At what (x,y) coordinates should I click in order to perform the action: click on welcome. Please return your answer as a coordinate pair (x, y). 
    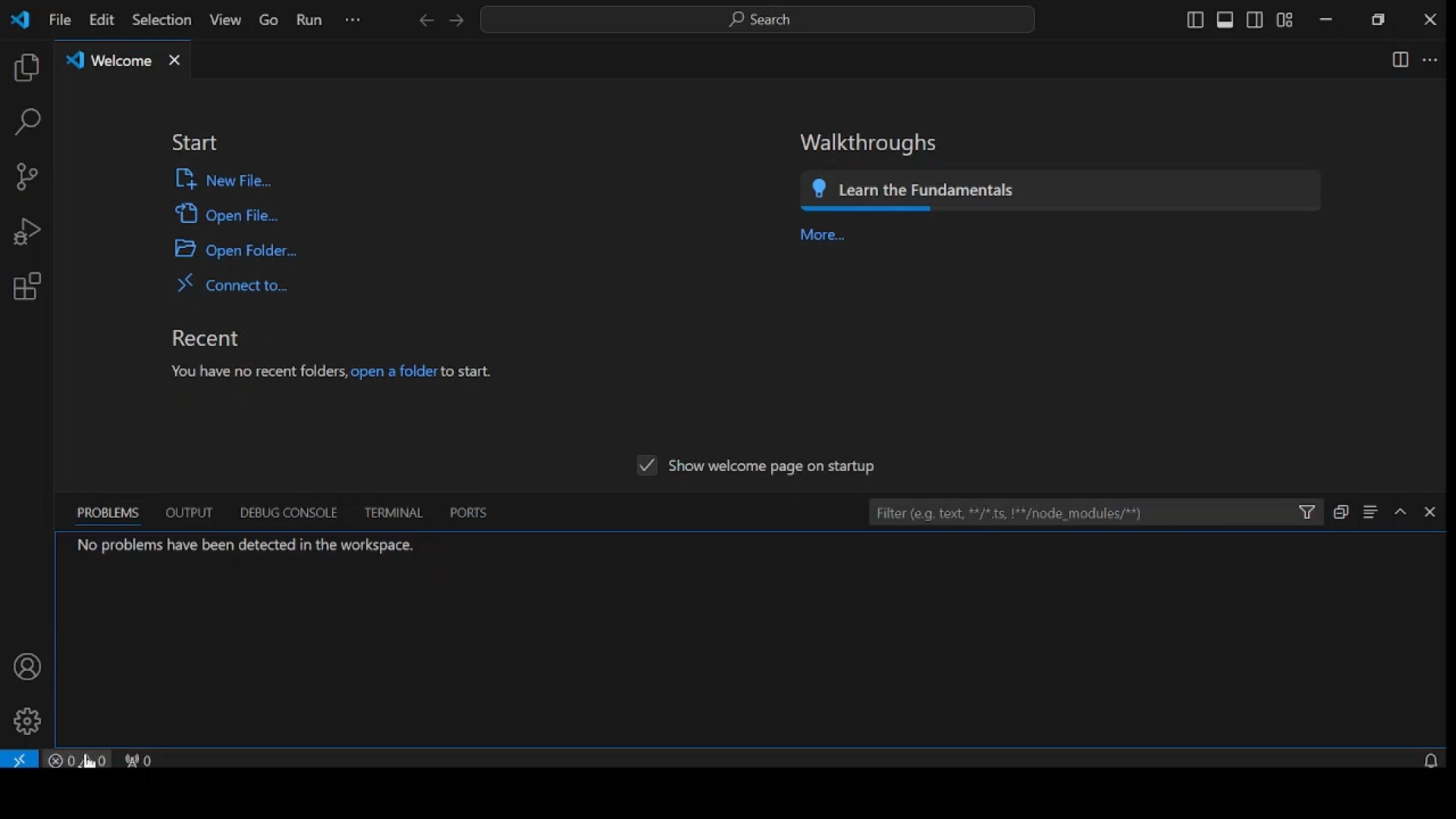
    Looking at the image, I should click on (125, 56).